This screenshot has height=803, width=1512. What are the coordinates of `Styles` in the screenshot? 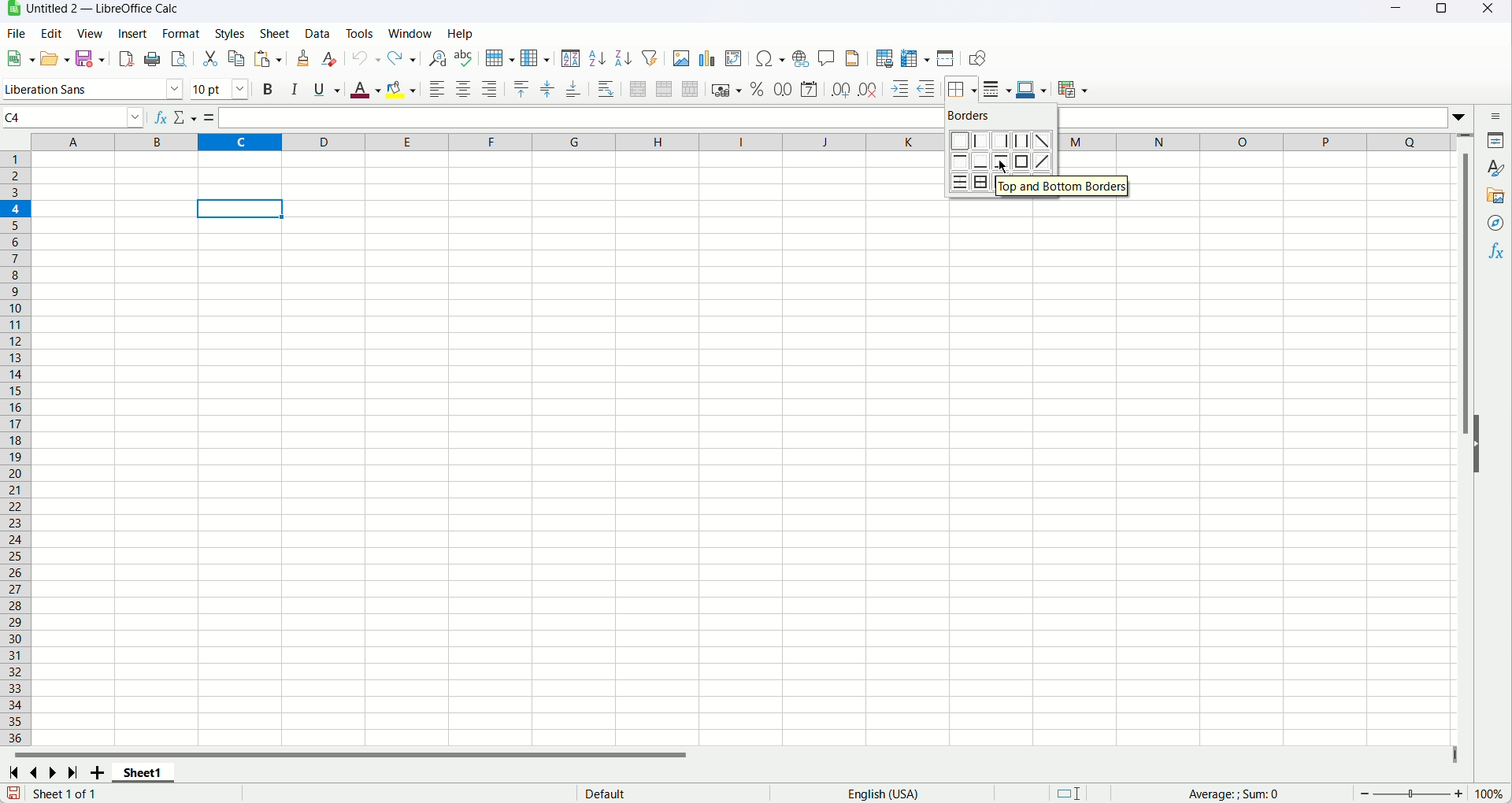 It's located at (228, 33).